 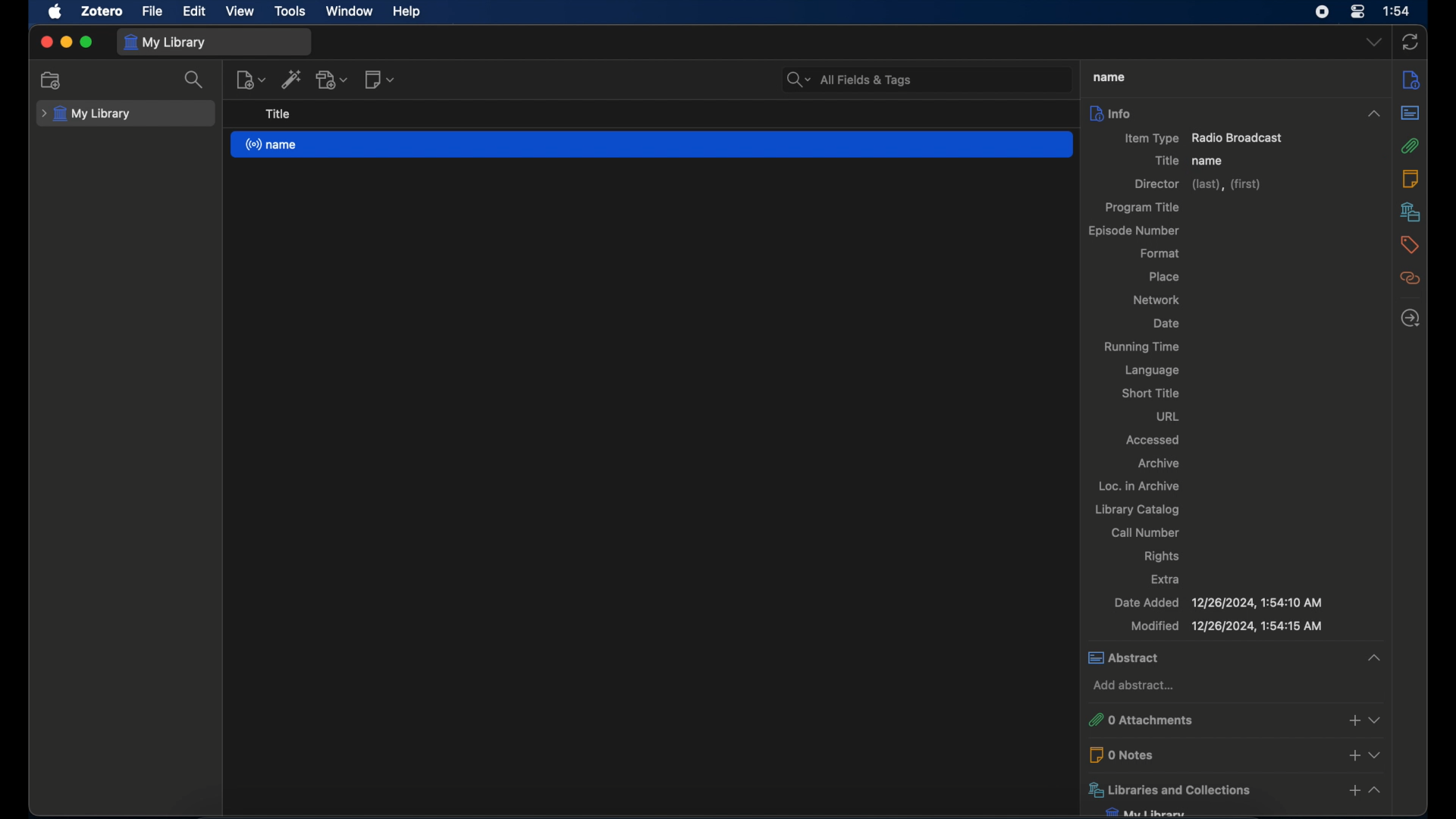 I want to click on archive, so click(x=1159, y=463).